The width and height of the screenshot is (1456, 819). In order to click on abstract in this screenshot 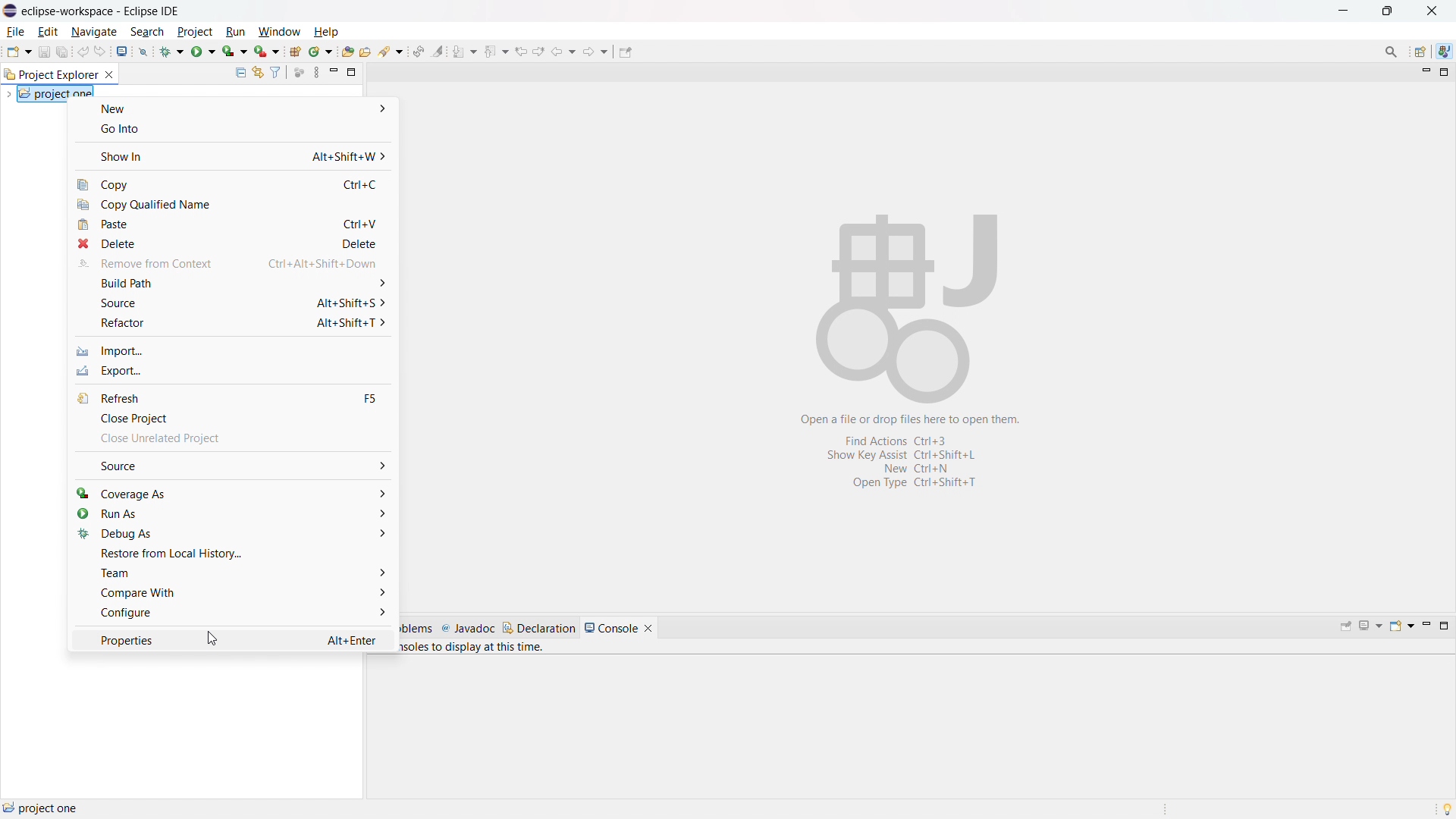, I will do `click(910, 298)`.